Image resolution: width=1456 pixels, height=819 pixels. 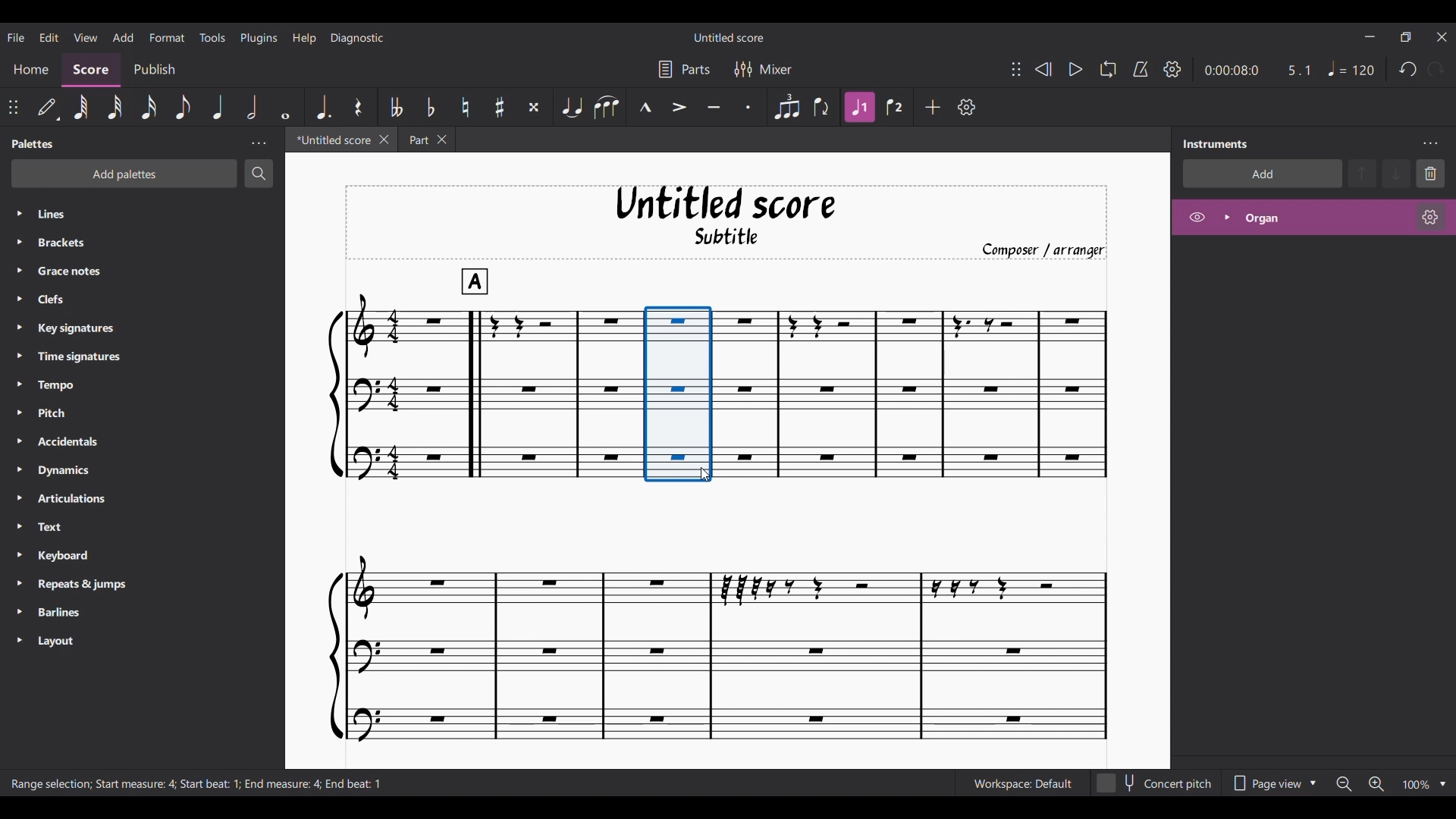 I want to click on Minimize, so click(x=1370, y=36).